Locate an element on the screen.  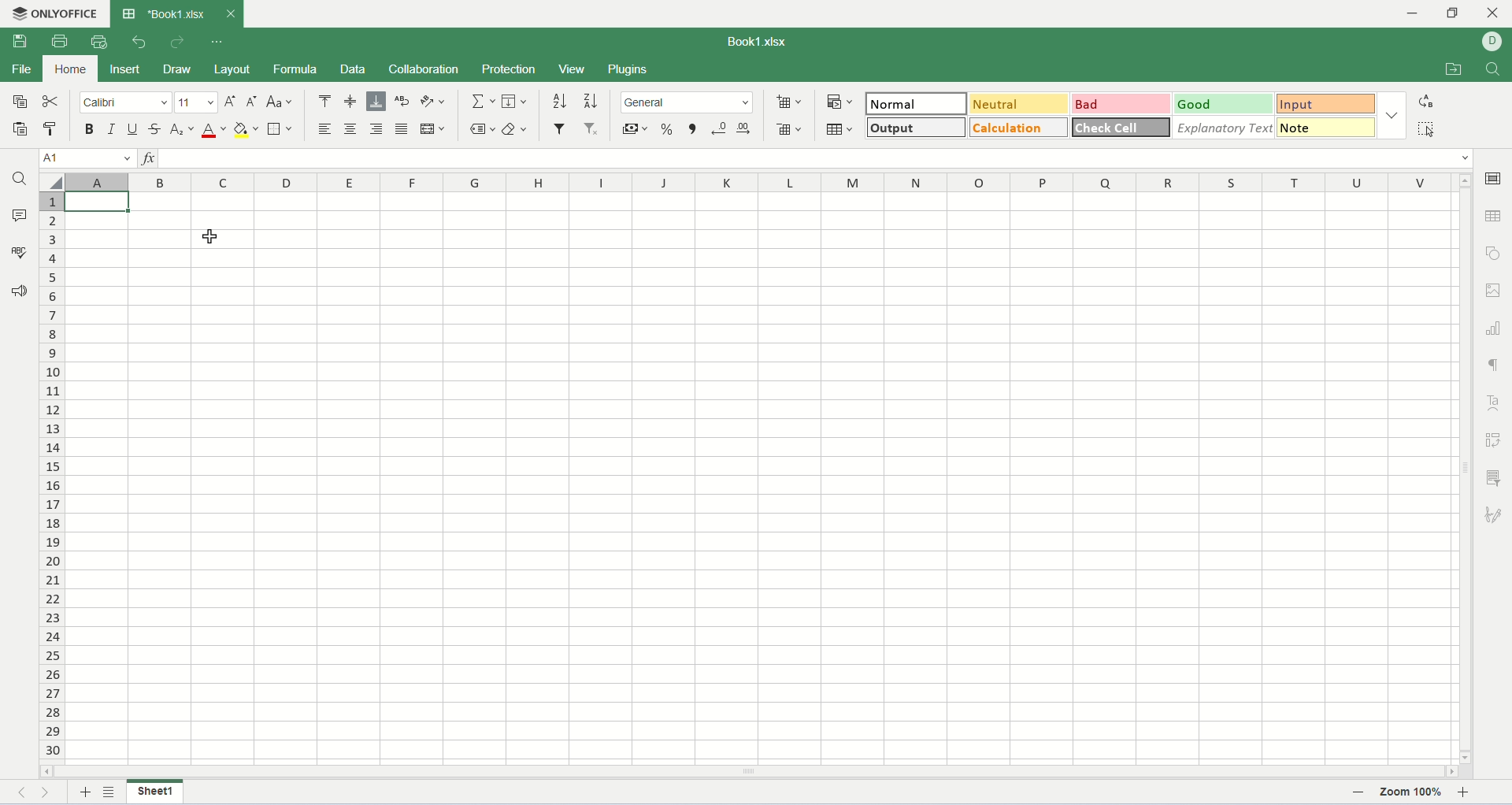
input is located at coordinates (1326, 103).